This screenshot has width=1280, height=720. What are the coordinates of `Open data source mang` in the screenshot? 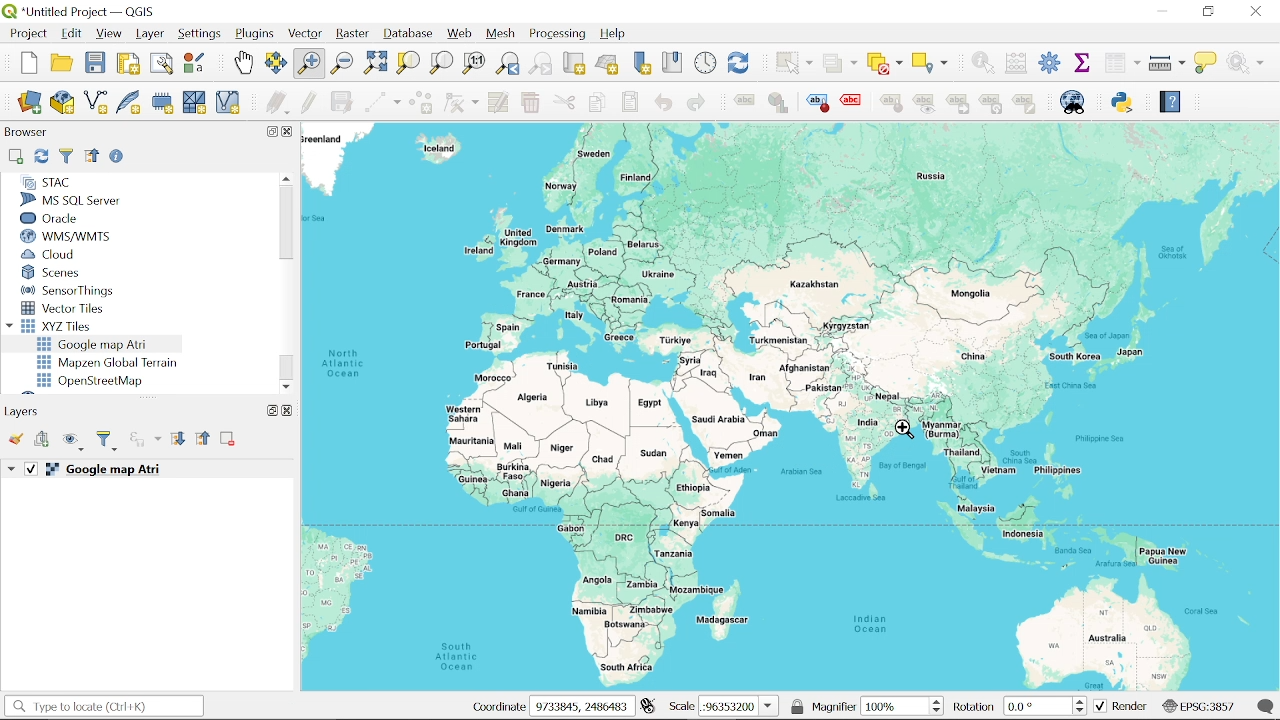 It's located at (30, 104).